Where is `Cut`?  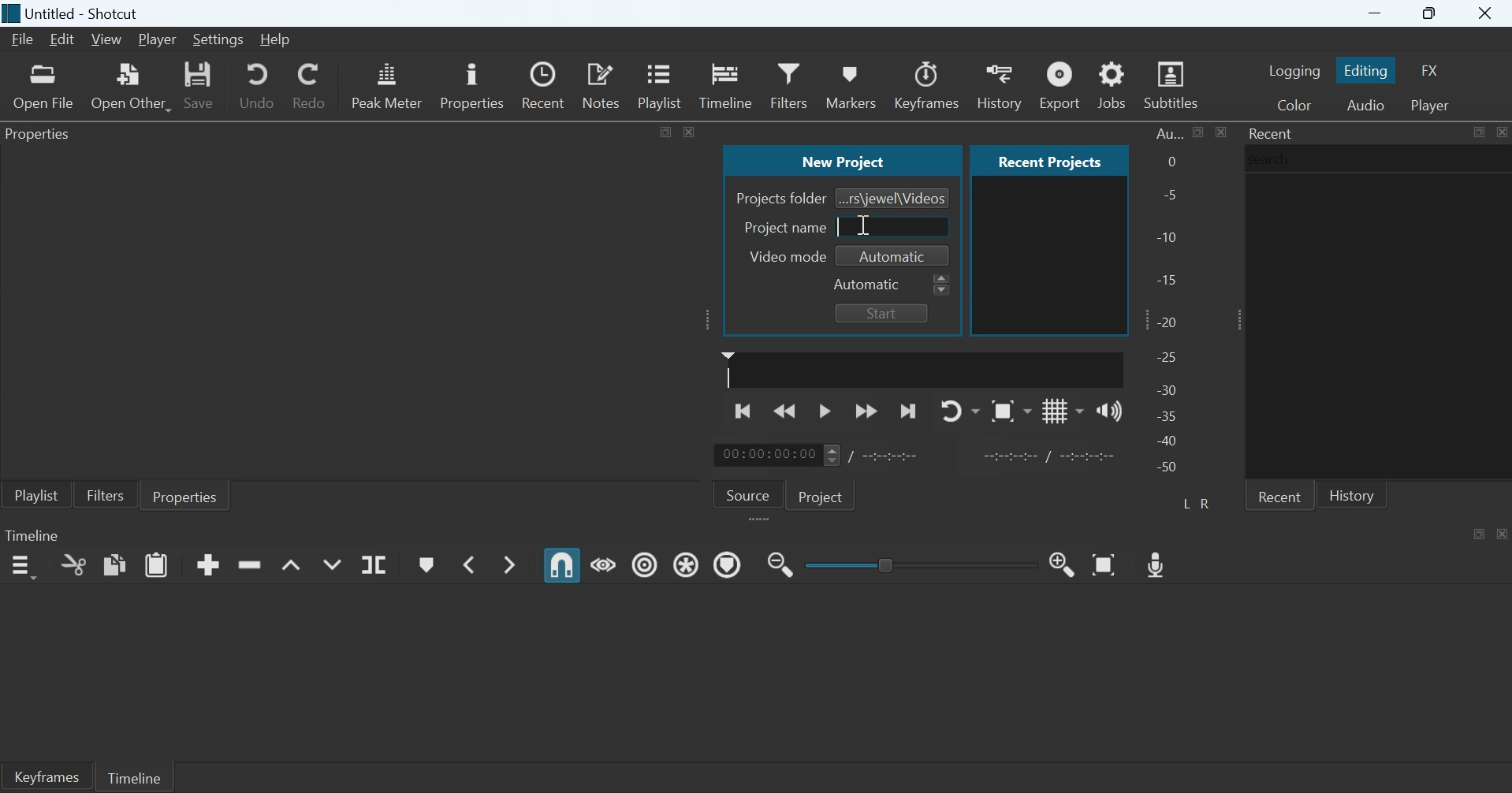
Cut is located at coordinates (73, 564).